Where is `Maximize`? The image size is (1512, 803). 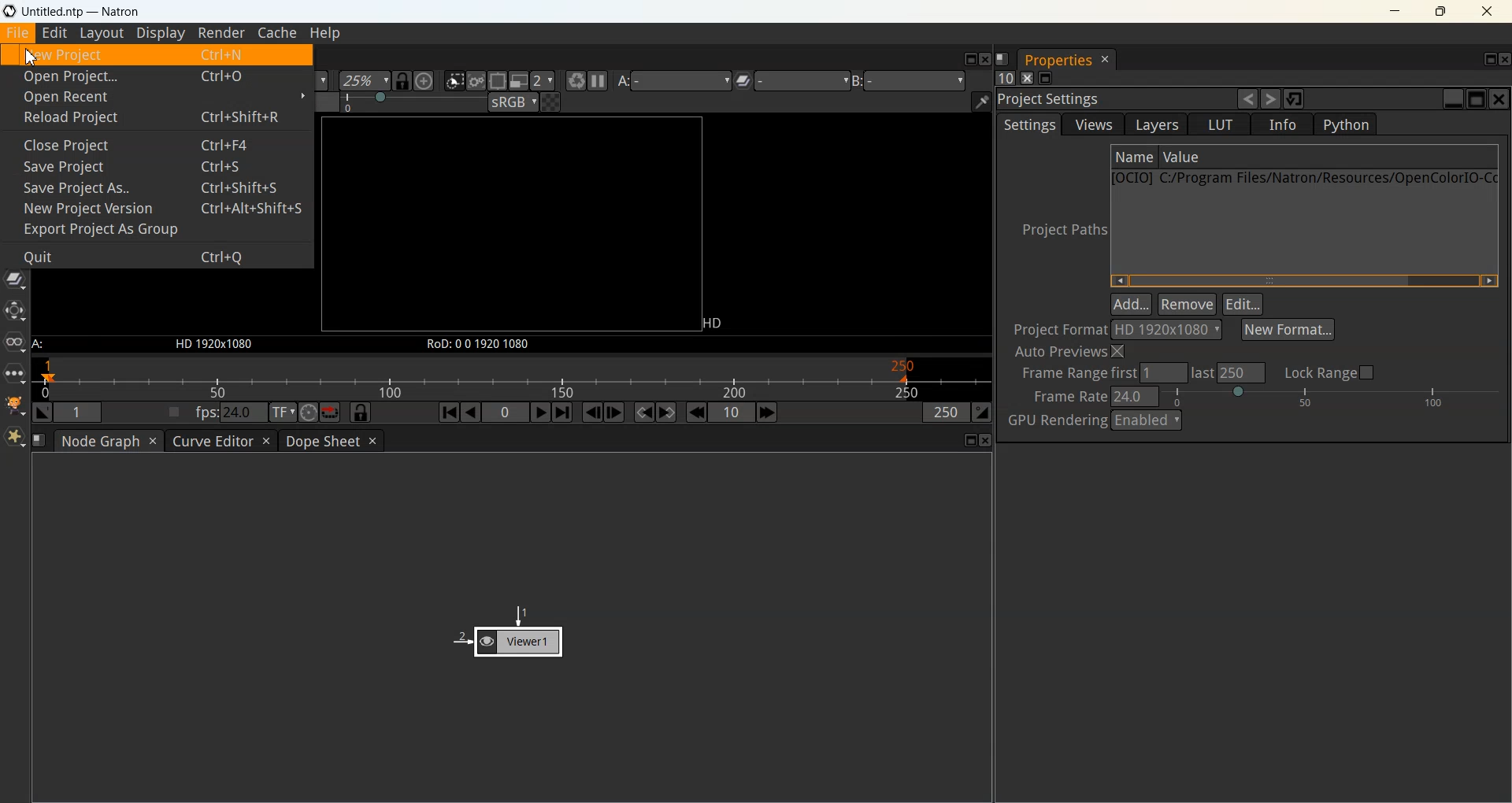 Maximize is located at coordinates (972, 440).